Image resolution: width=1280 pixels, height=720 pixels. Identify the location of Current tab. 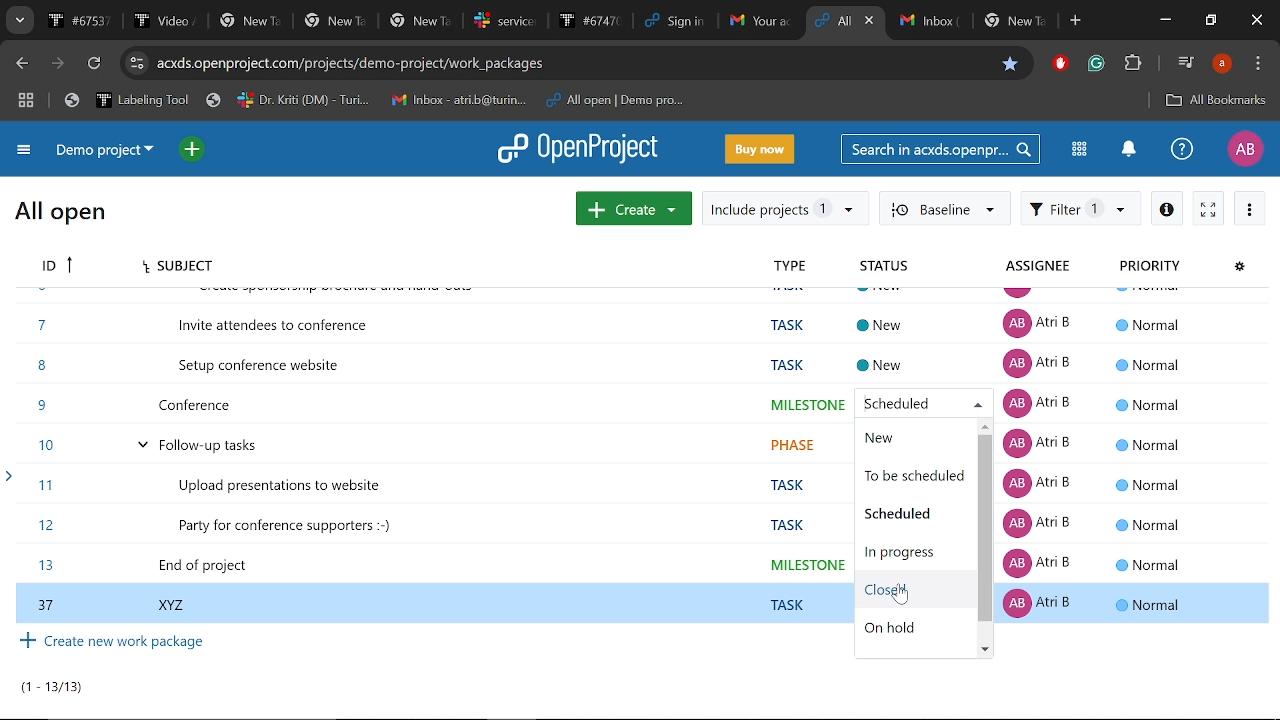
(832, 21).